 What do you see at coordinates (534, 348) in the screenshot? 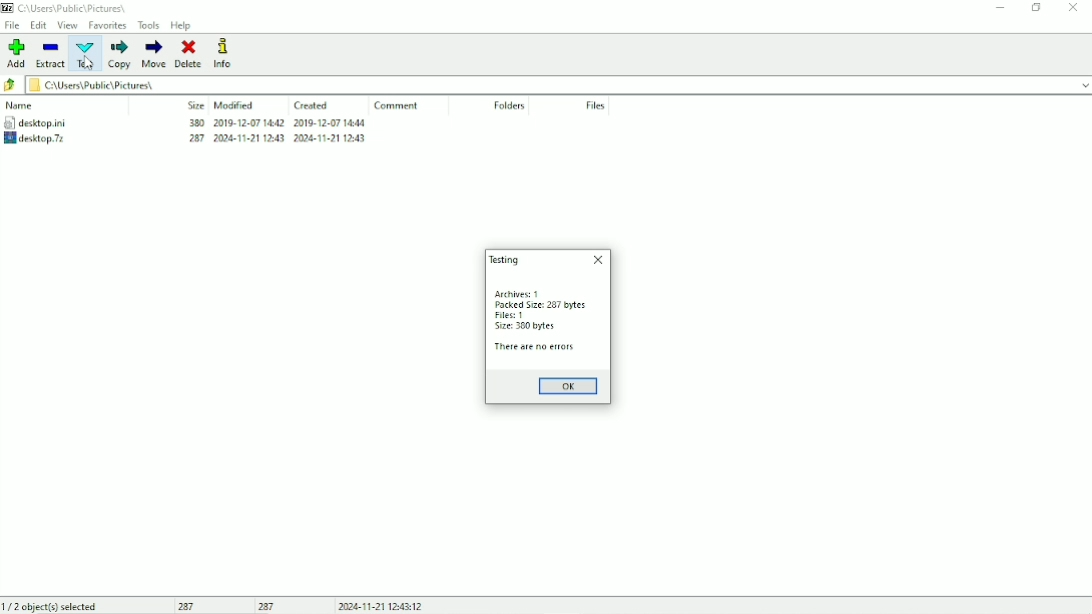
I see `There are no errors` at bounding box center [534, 348].